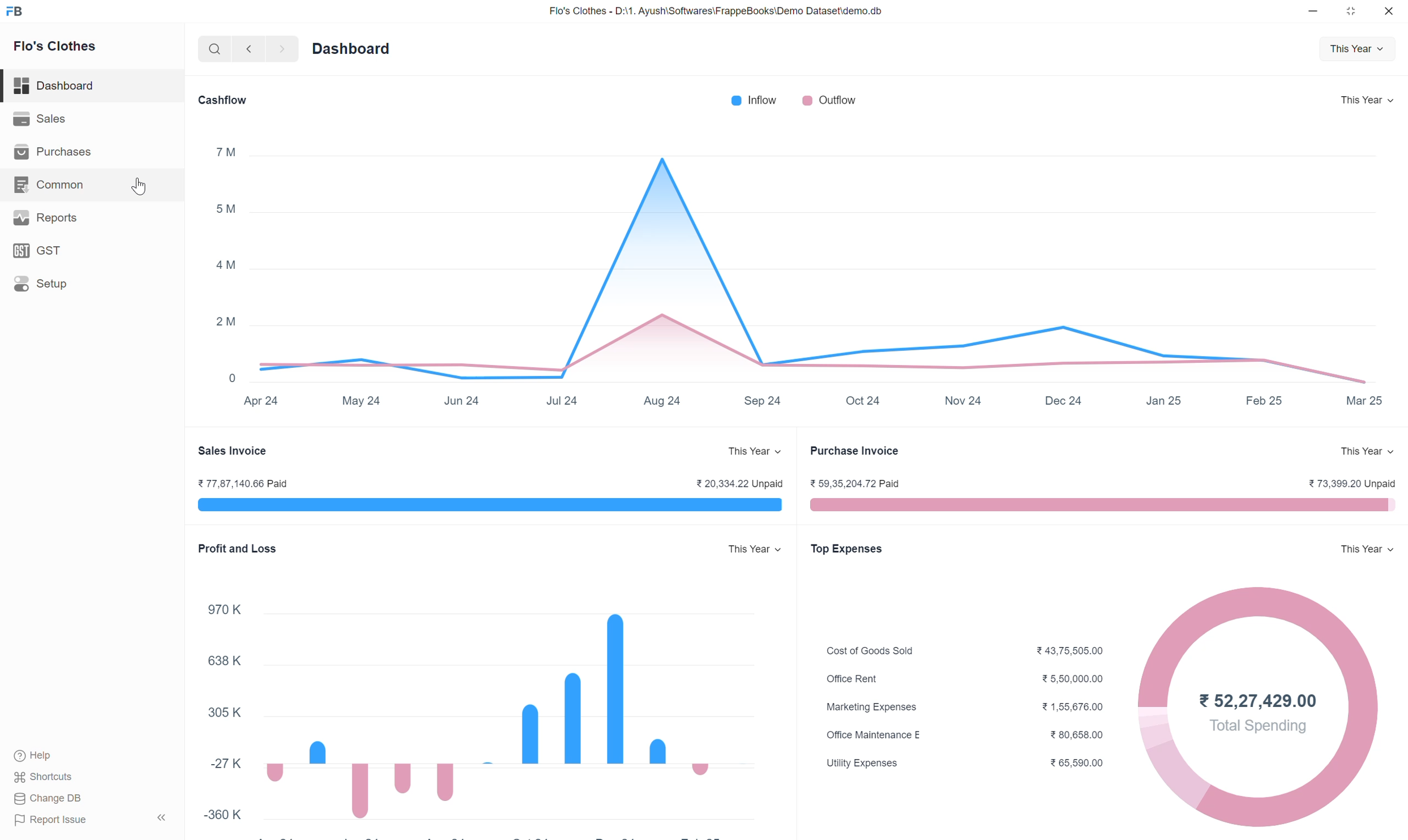  Describe the element at coordinates (1367, 101) in the screenshot. I see `year` at that location.